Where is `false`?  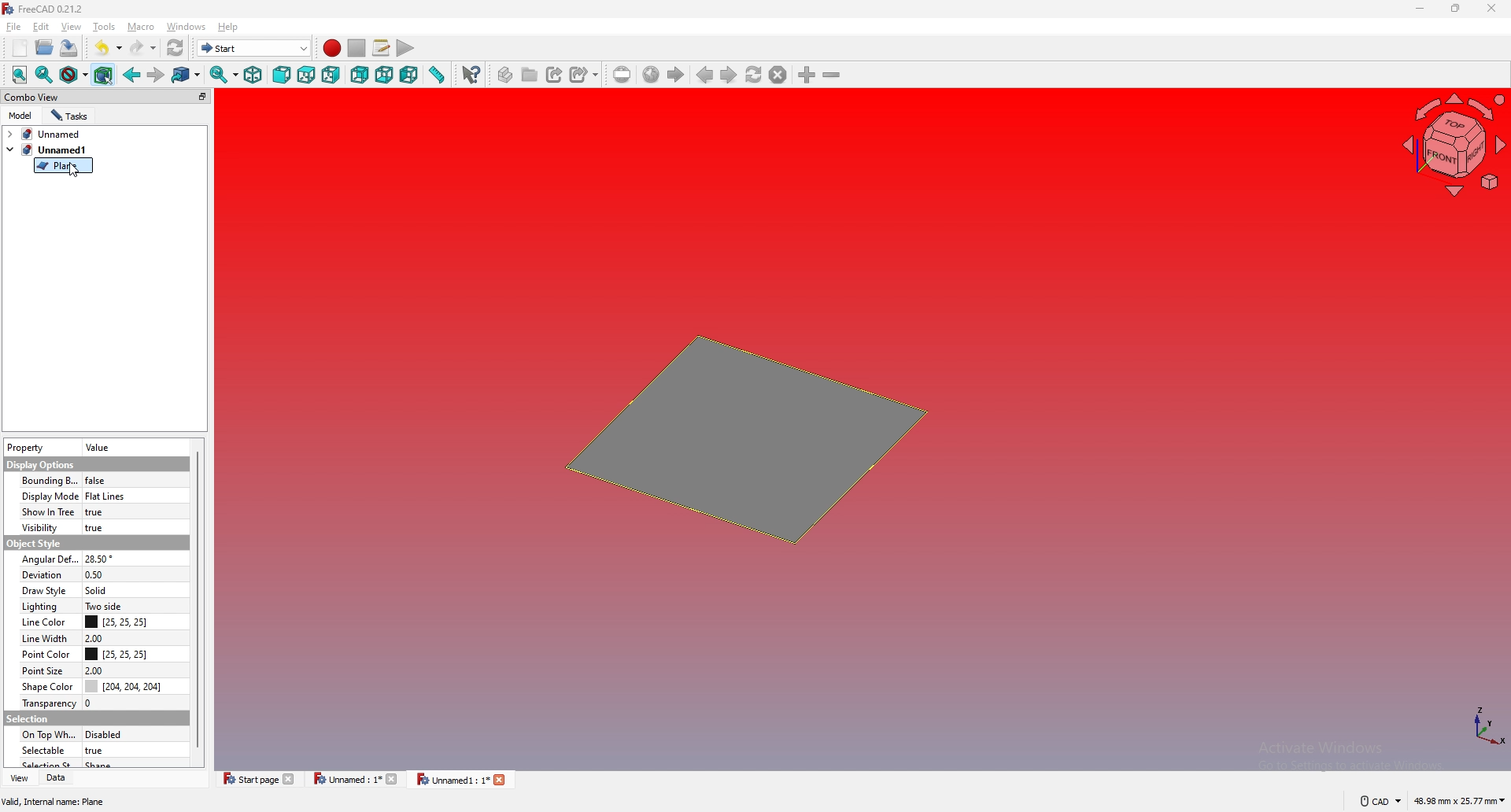
false is located at coordinates (98, 480).